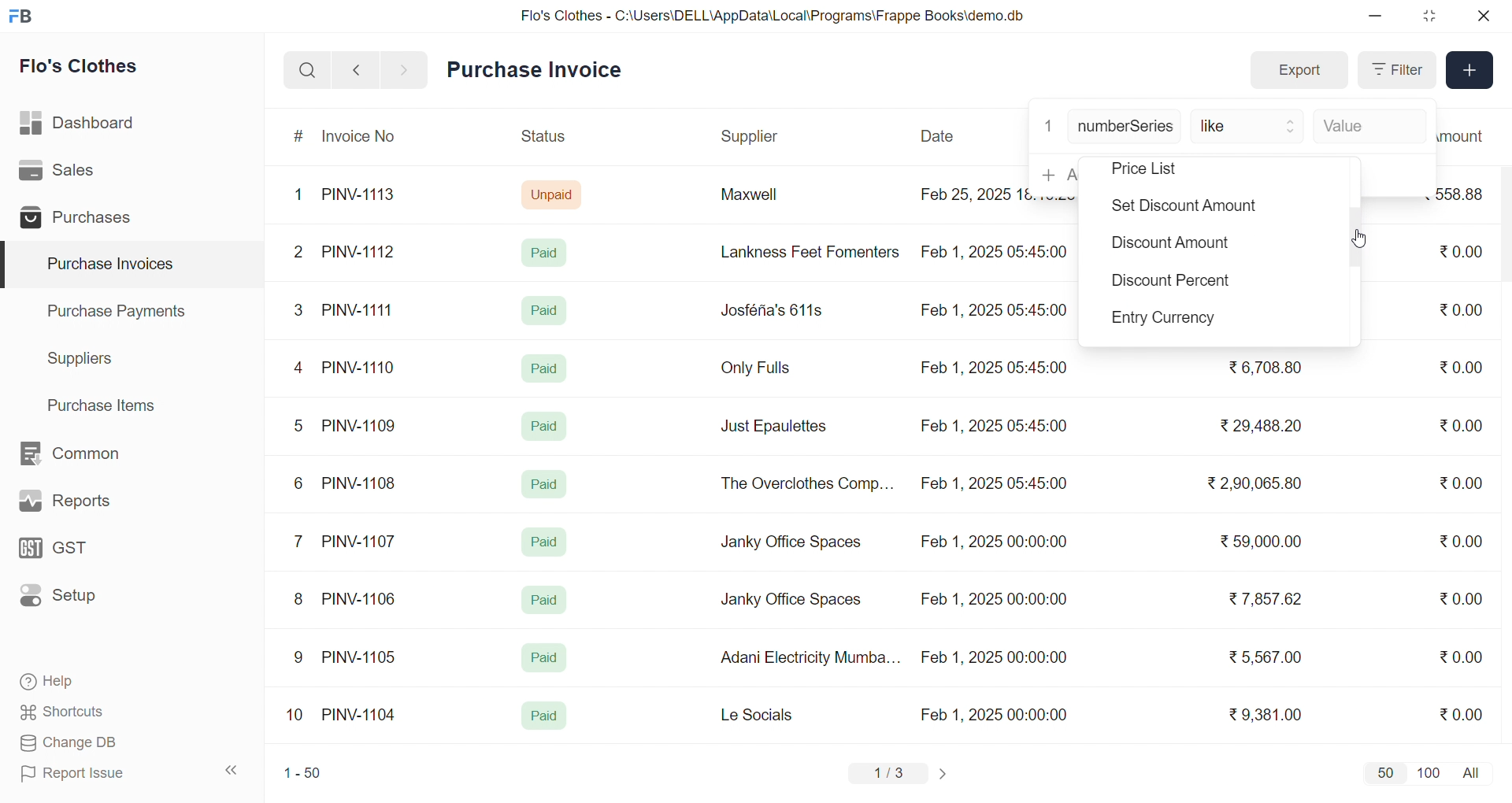 The width and height of the screenshot is (1512, 803). Describe the element at coordinates (83, 505) in the screenshot. I see `Reports` at that location.